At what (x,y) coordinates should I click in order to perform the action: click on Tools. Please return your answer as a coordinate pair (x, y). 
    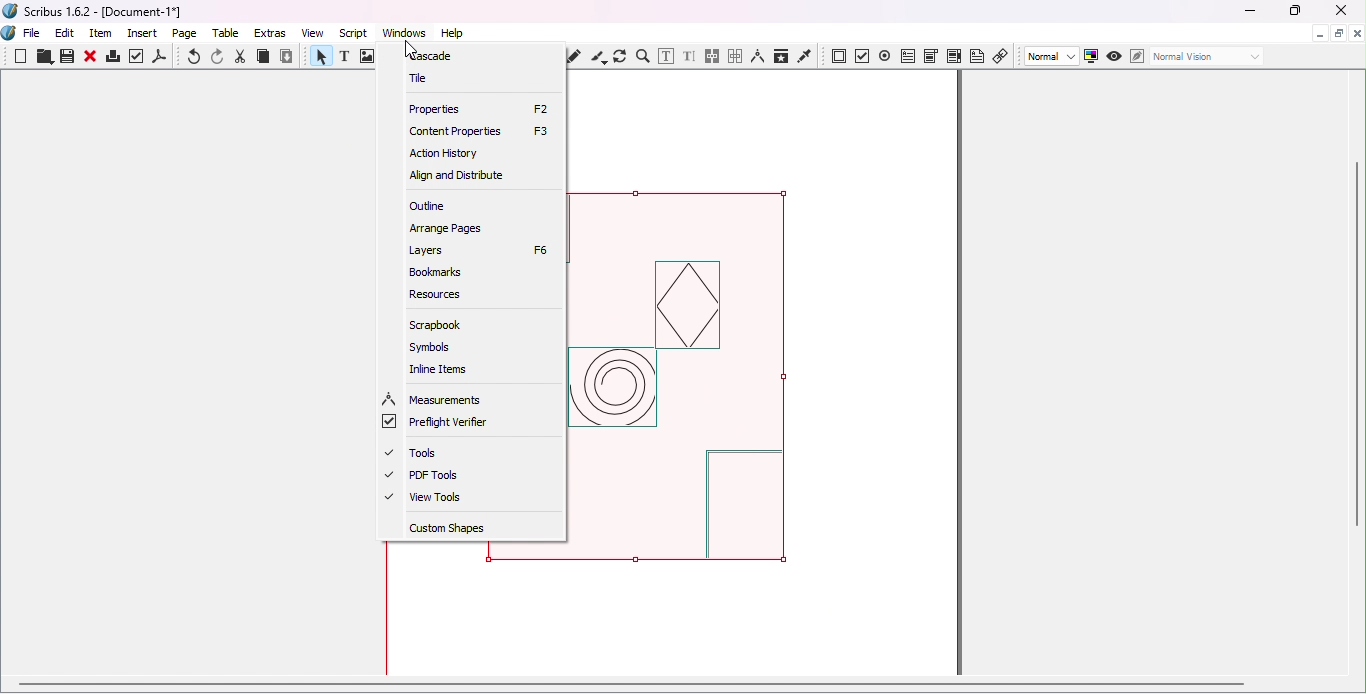
    Looking at the image, I should click on (418, 454).